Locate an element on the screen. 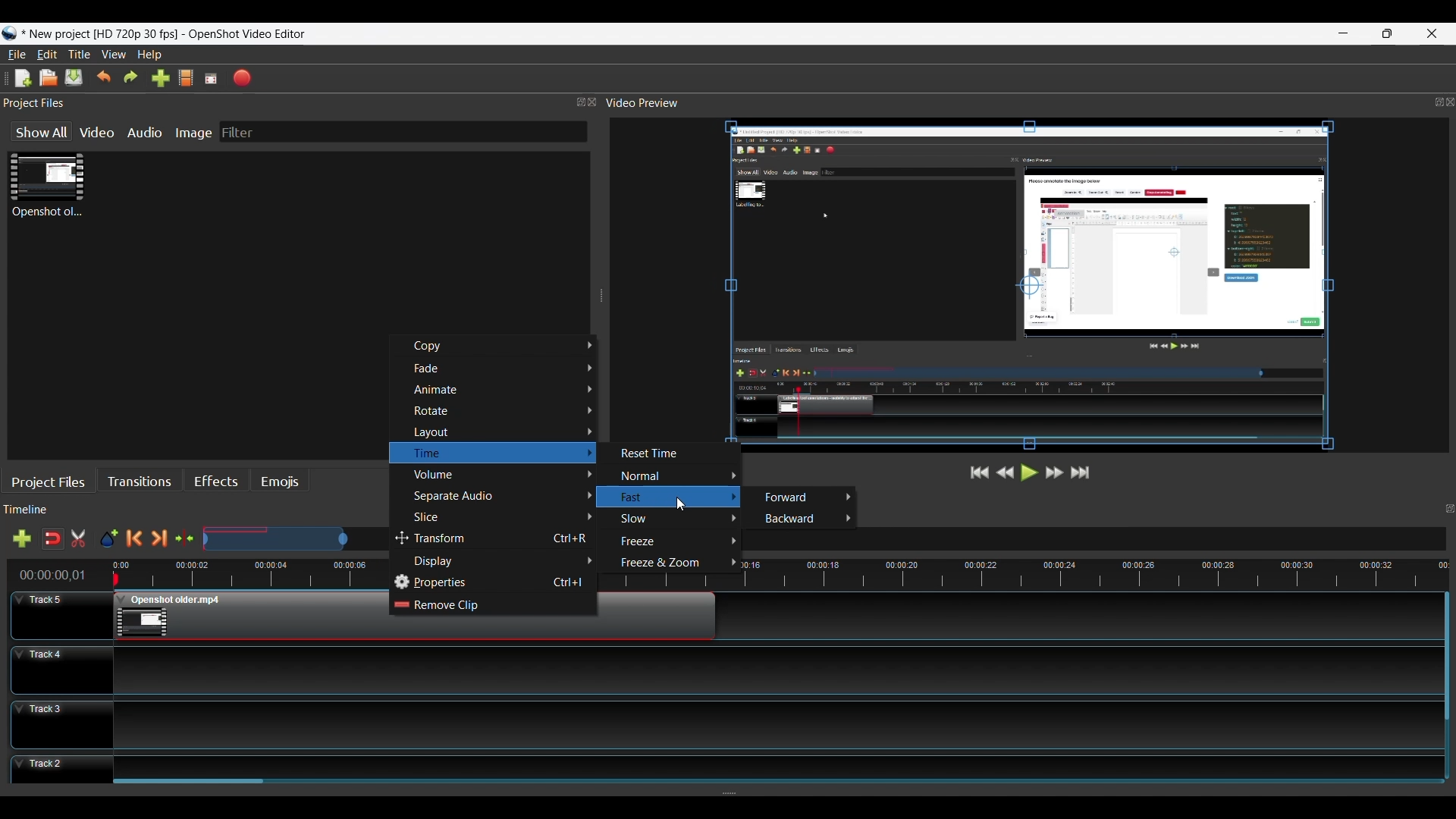 Image resolution: width=1456 pixels, height=819 pixels. Separate Audio is located at coordinates (502, 498).